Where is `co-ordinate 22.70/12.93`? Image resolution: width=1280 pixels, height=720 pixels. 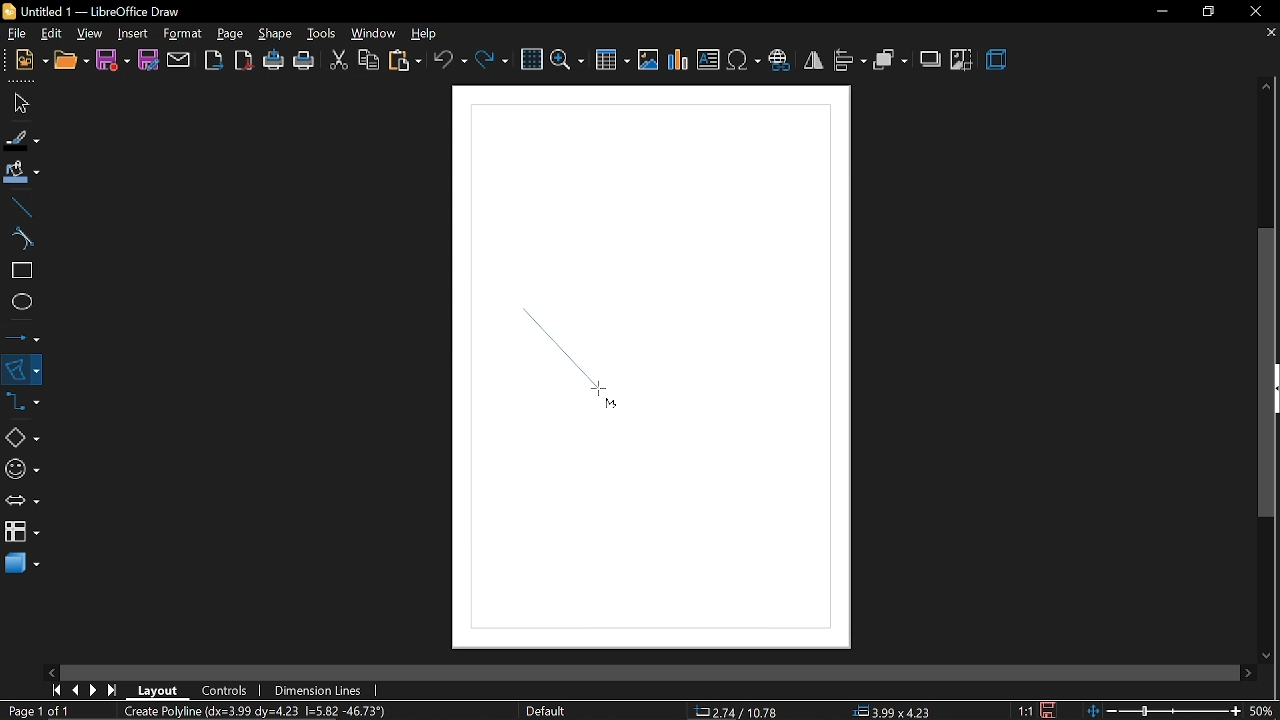 co-ordinate 22.70/12.93 is located at coordinates (742, 711).